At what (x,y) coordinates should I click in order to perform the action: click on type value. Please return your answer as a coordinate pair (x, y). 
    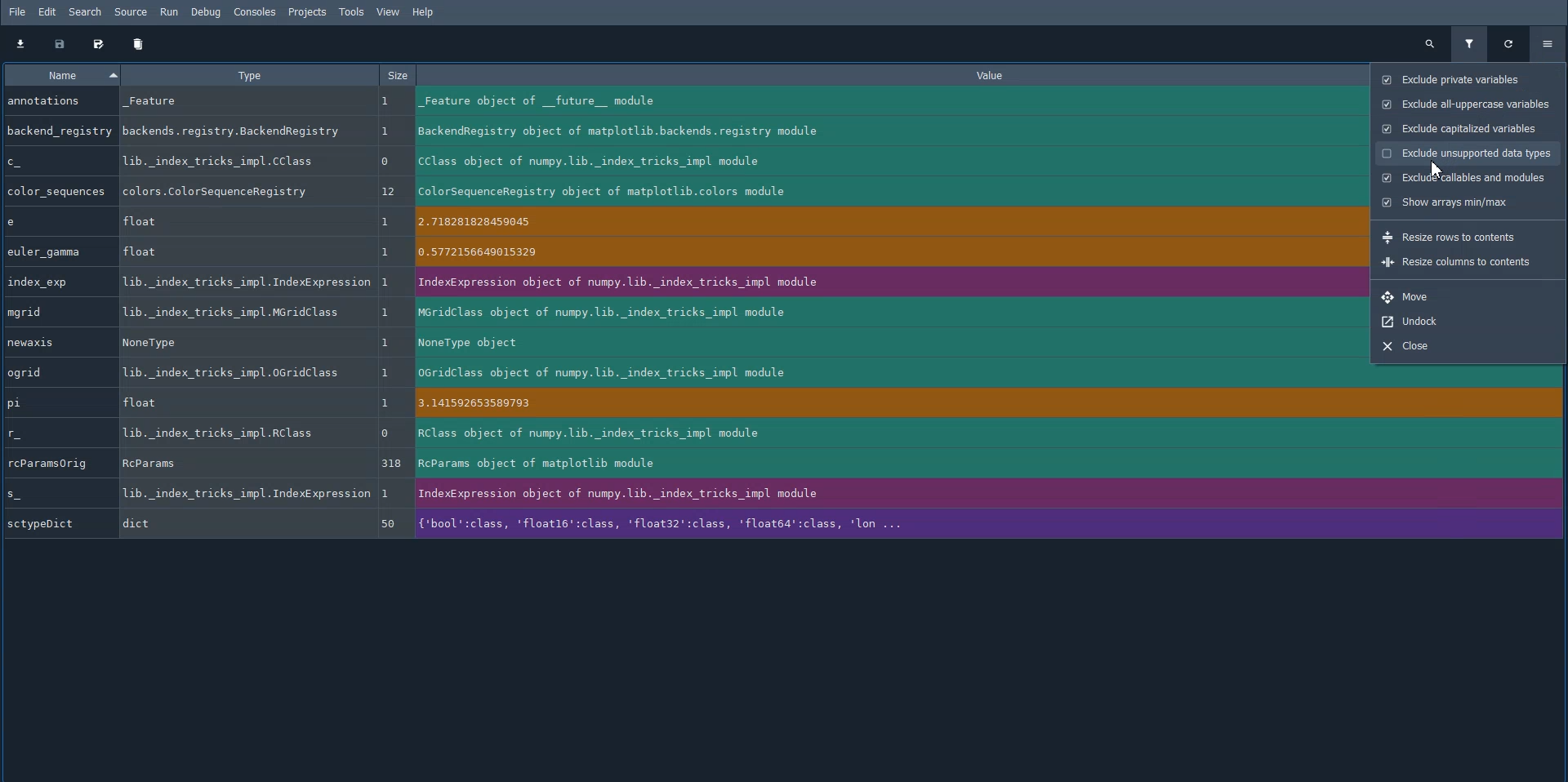
    Looking at the image, I should click on (246, 494).